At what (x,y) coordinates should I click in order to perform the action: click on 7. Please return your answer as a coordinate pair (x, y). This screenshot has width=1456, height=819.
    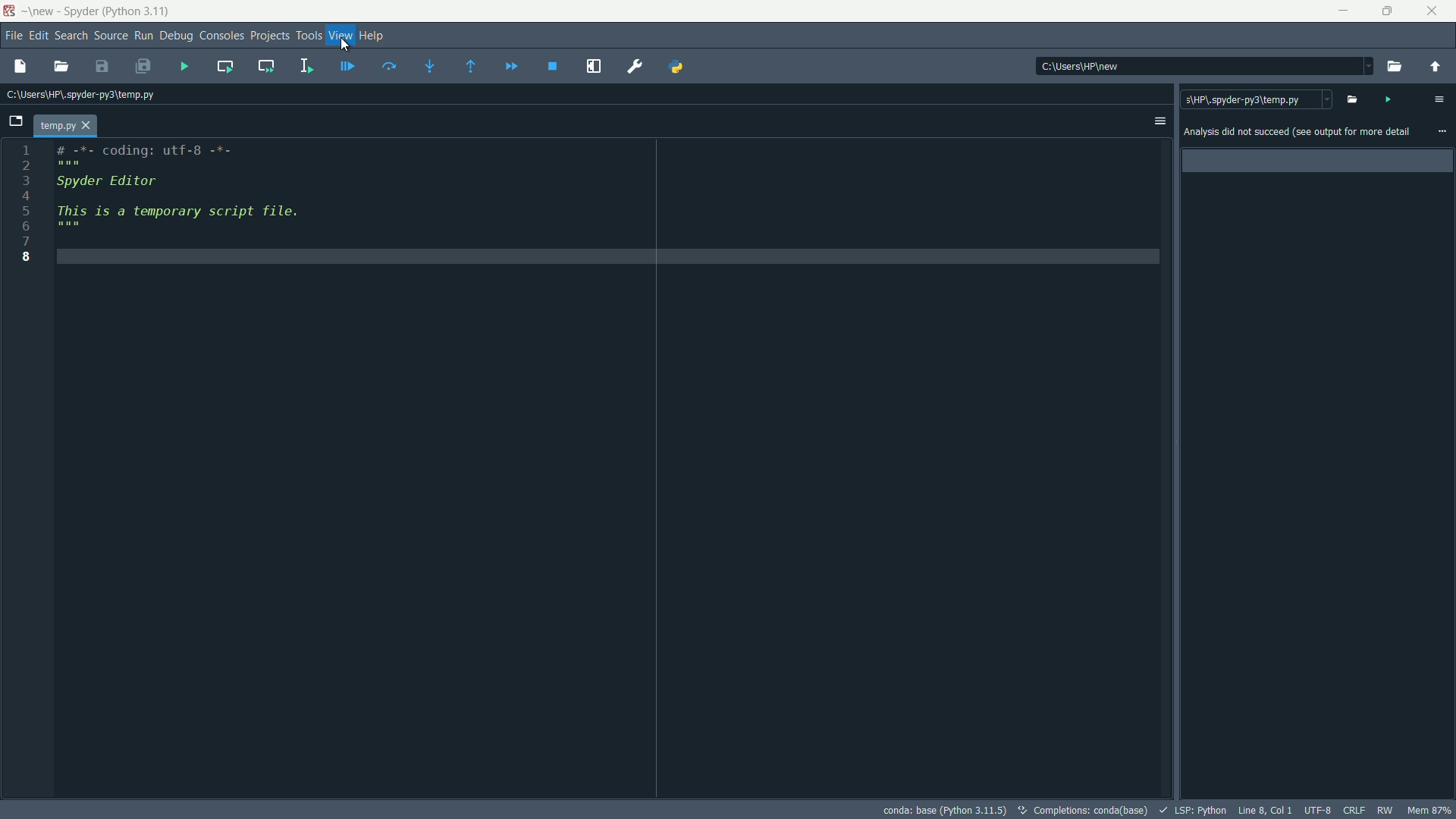
    Looking at the image, I should click on (30, 243).